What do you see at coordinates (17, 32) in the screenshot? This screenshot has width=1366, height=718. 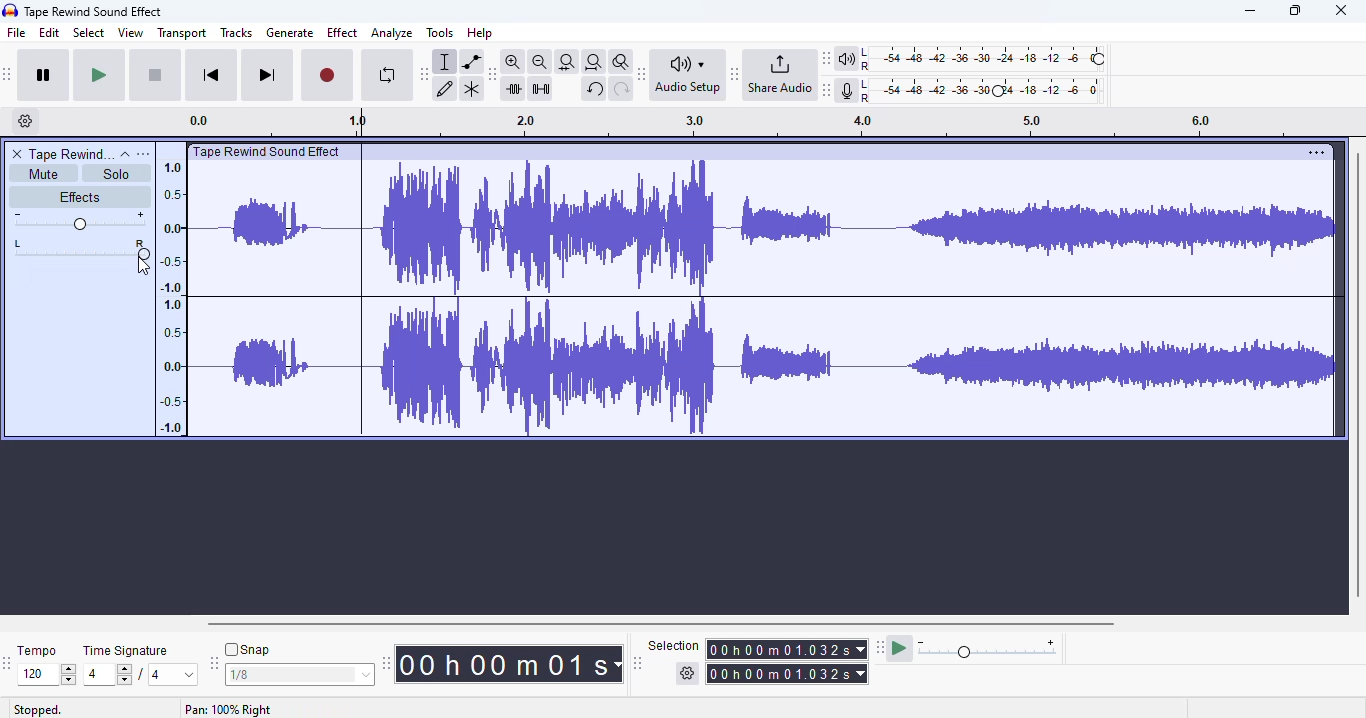 I see `file` at bounding box center [17, 32].